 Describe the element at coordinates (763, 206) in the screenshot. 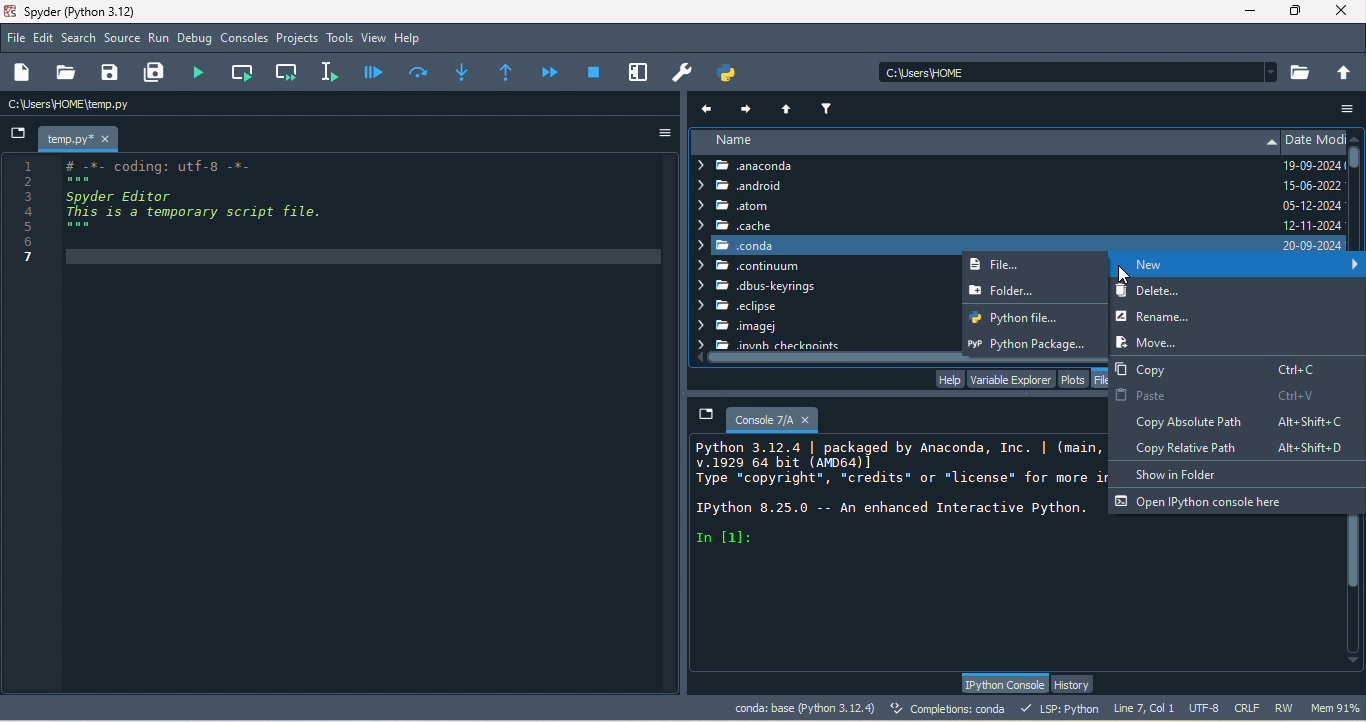

I see `atom` at that location.